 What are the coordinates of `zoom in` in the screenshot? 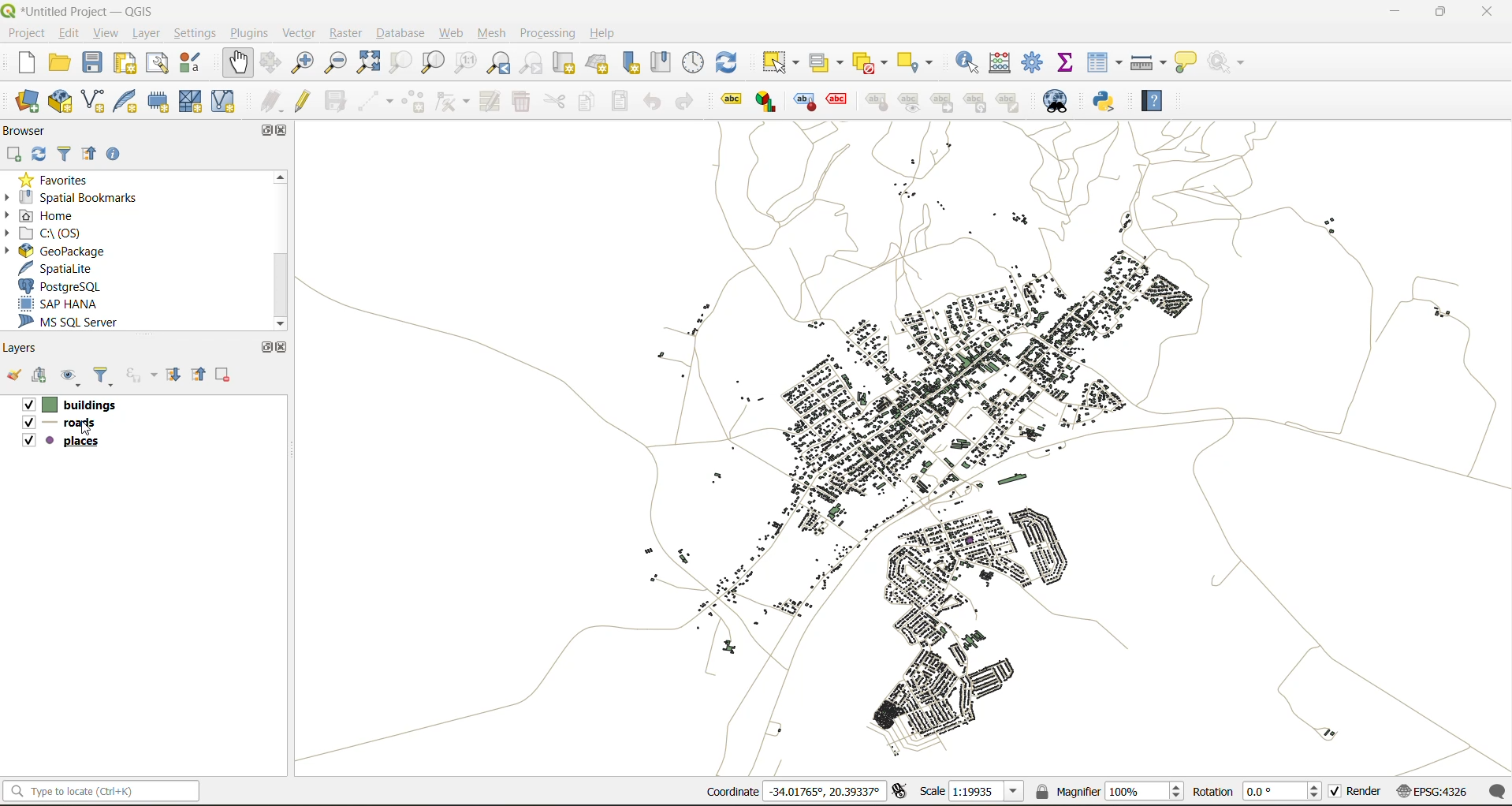 It's located at (302, 61).